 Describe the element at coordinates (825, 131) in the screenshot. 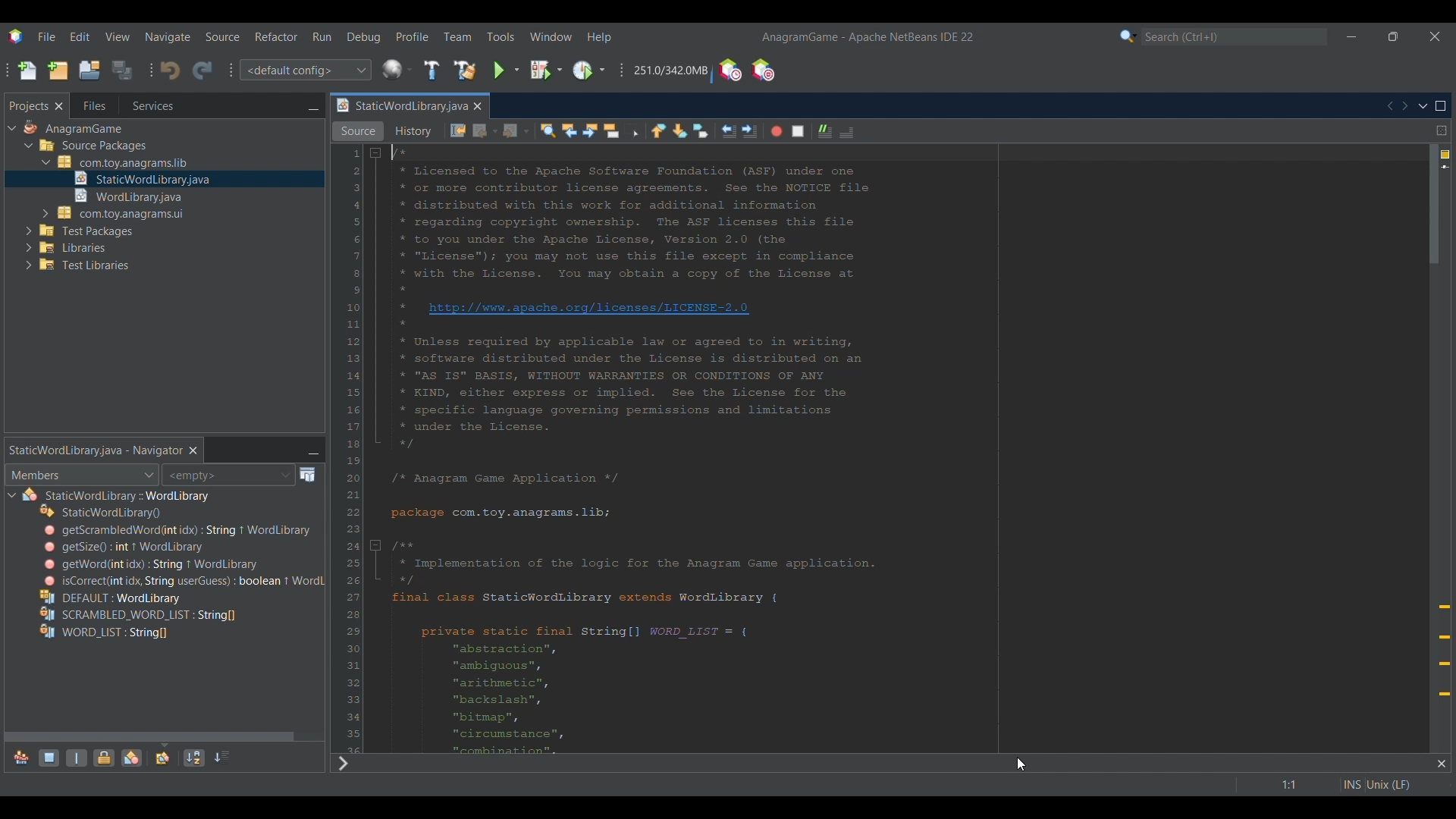

I see `Comment` at that location.